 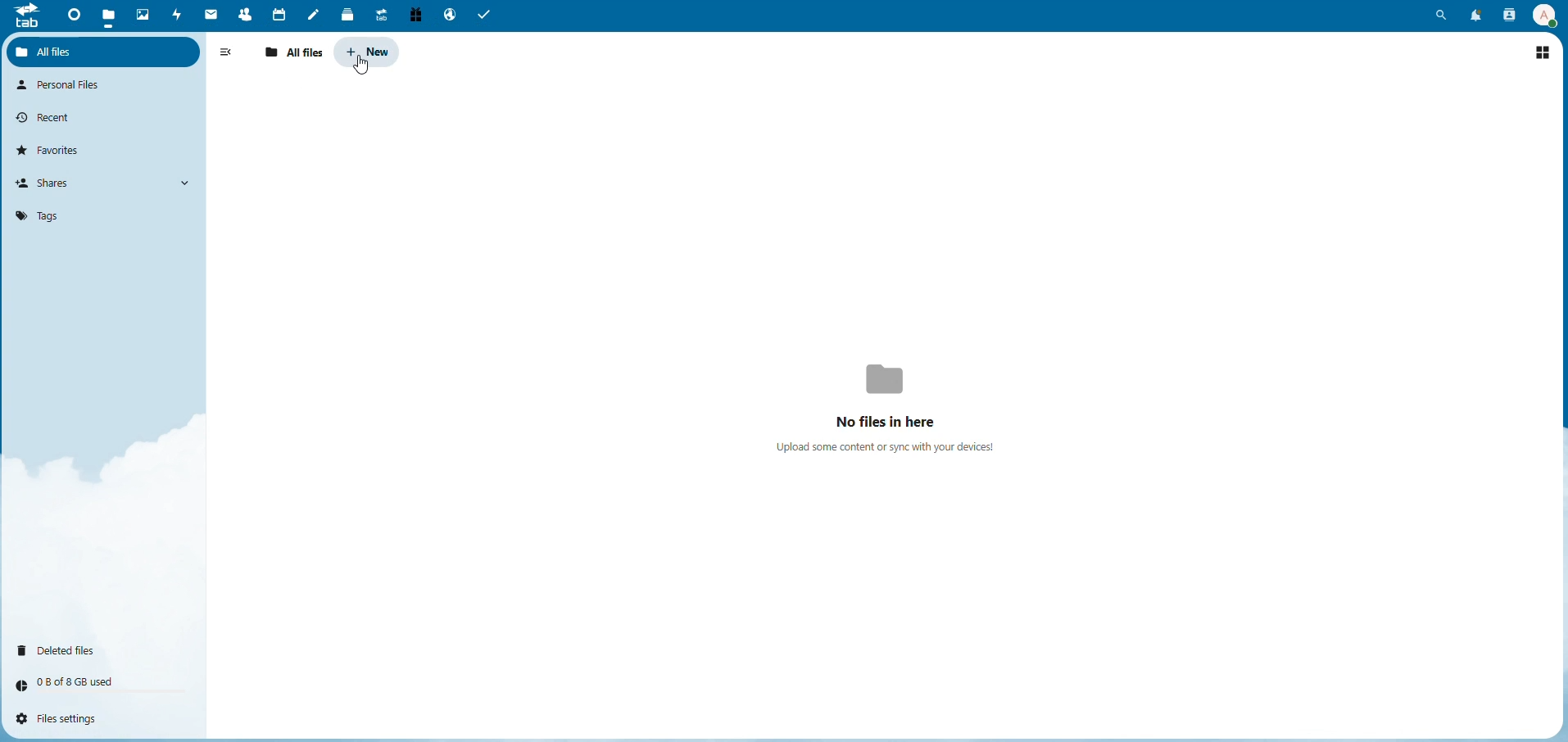 What do you see at coordinates (369, 51) in the screenshot?
I see `New` at bounding box center [369, 51].